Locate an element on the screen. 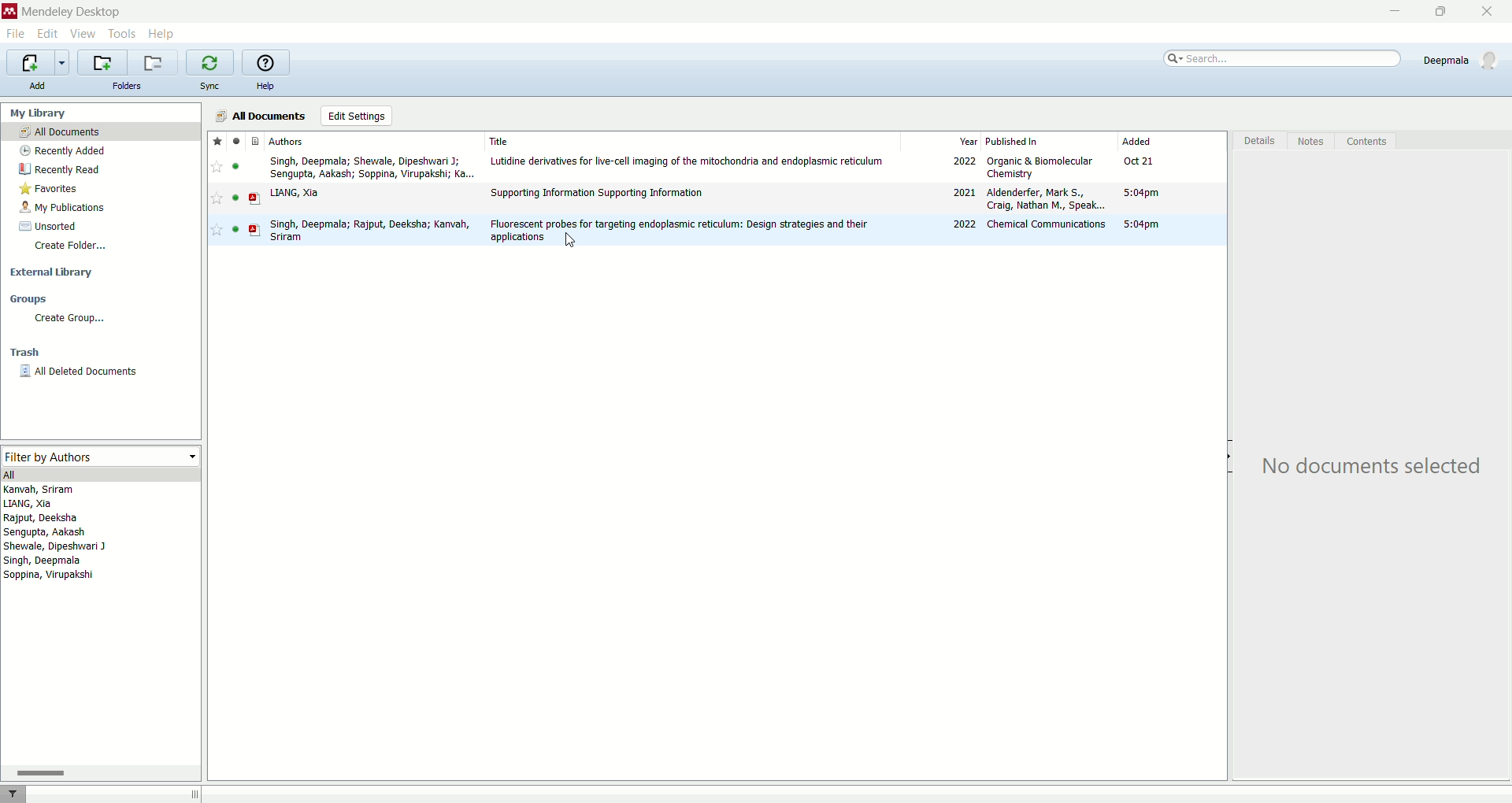 Image resolution: width=1512 pixels, height=803 pixels. minimize is located at coordinates (1392, 12).